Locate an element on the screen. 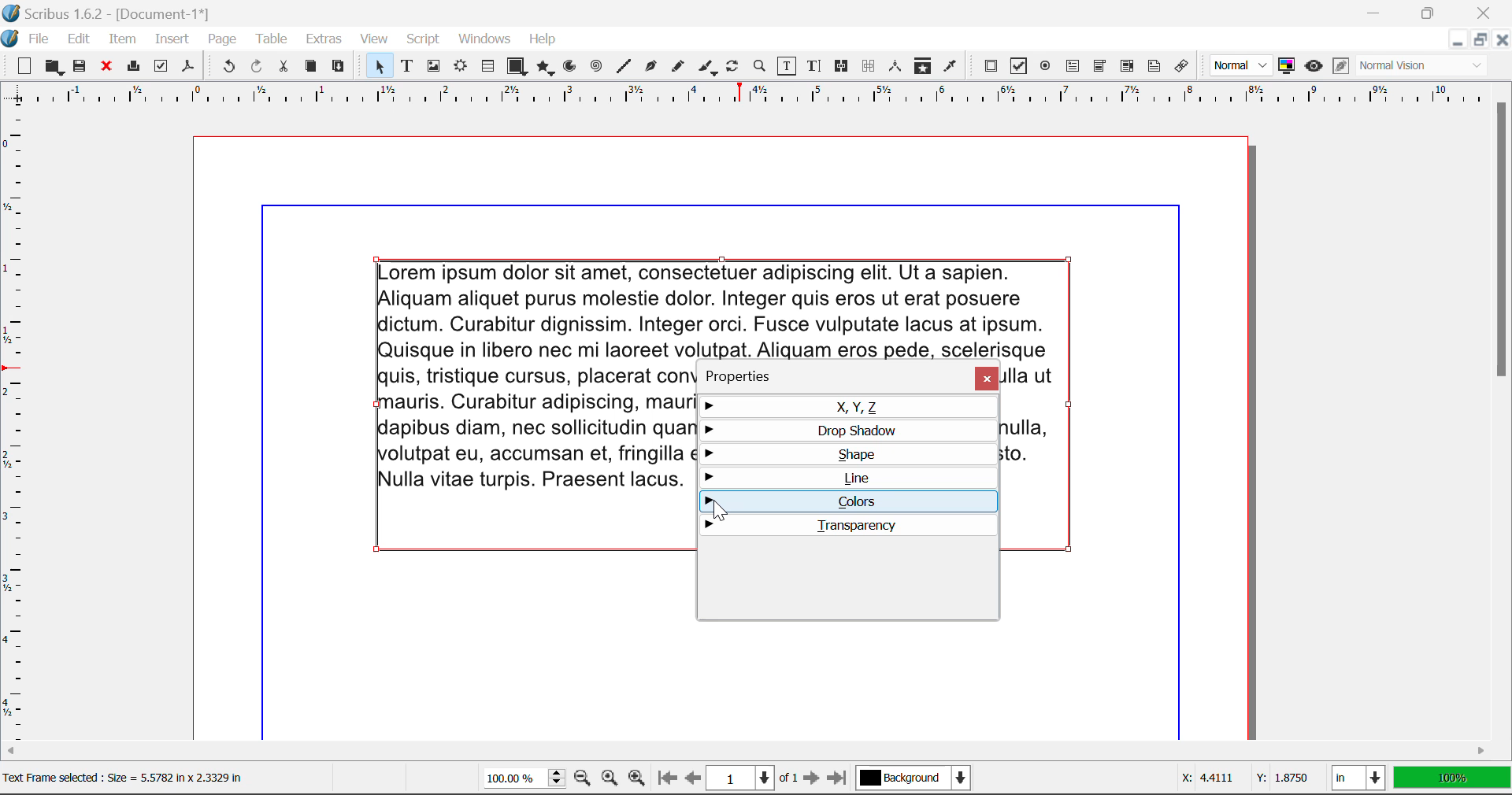  Preview Mode is located at coordinates (1314, 66).